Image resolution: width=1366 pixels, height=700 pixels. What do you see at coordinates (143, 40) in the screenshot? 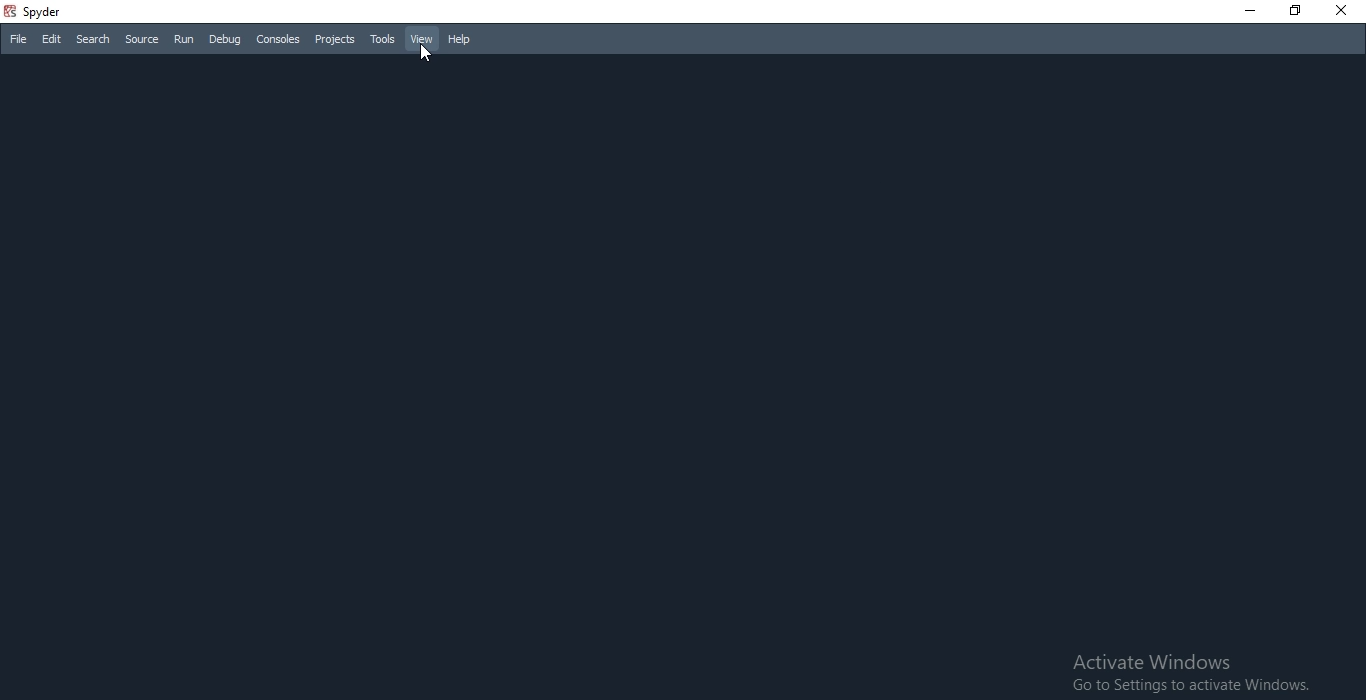
I see `Source` at bounding box center [143, 40].